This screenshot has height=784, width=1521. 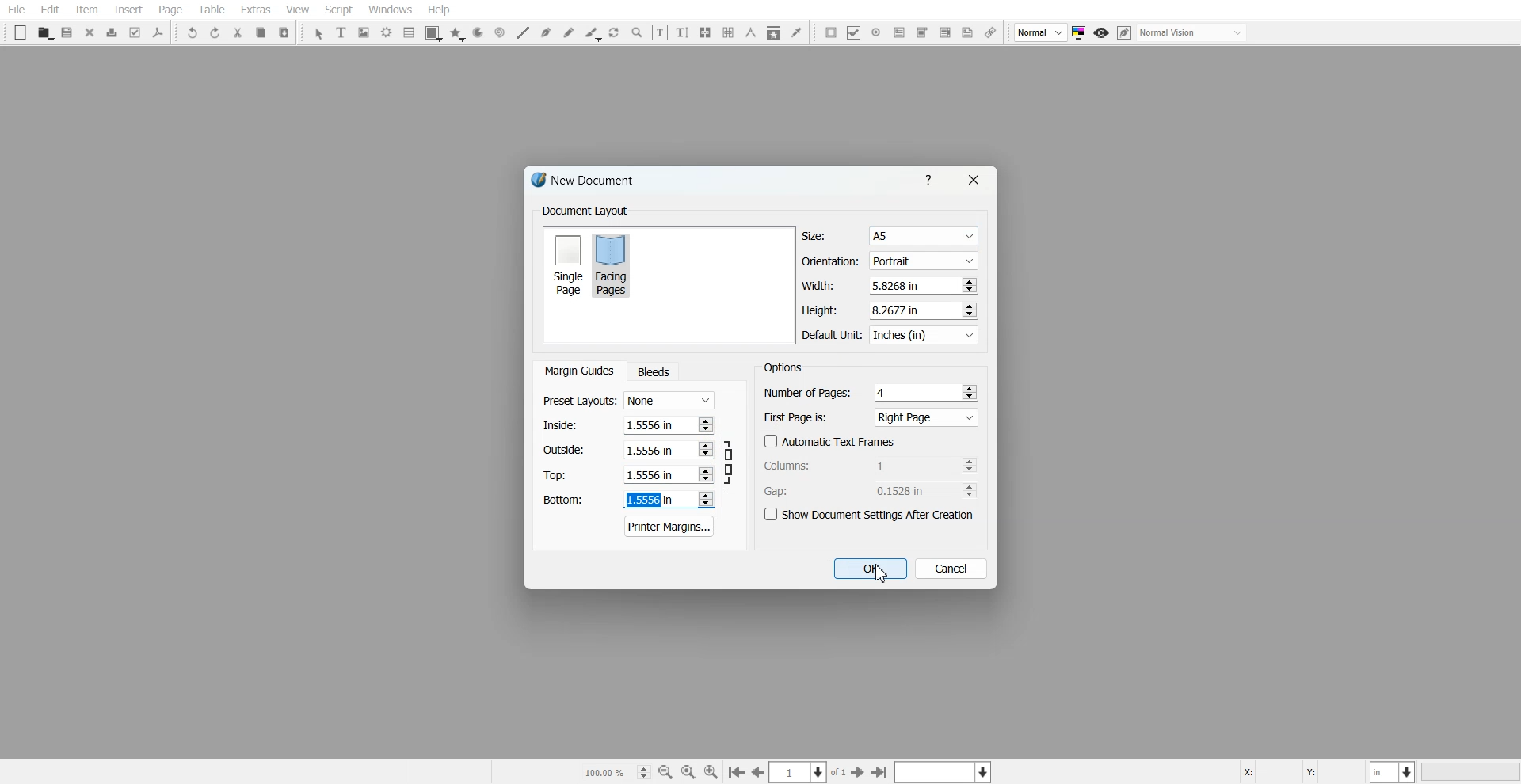 What do you see at coordinates (711, 771) in the screenshot?
I see `Zoom In` at bounding box center [711, 771].